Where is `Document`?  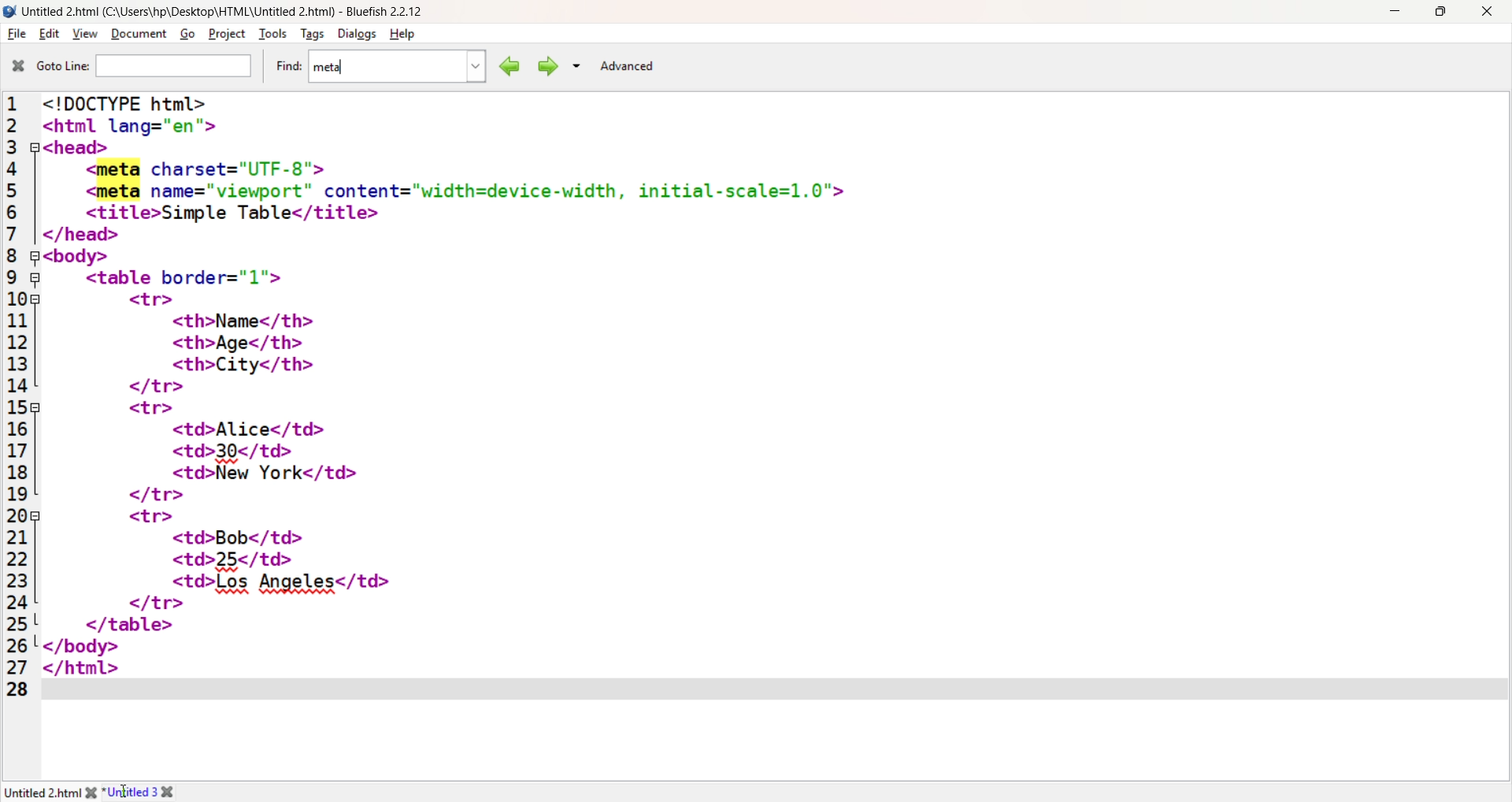
Document is located at coordinates (138, 35).